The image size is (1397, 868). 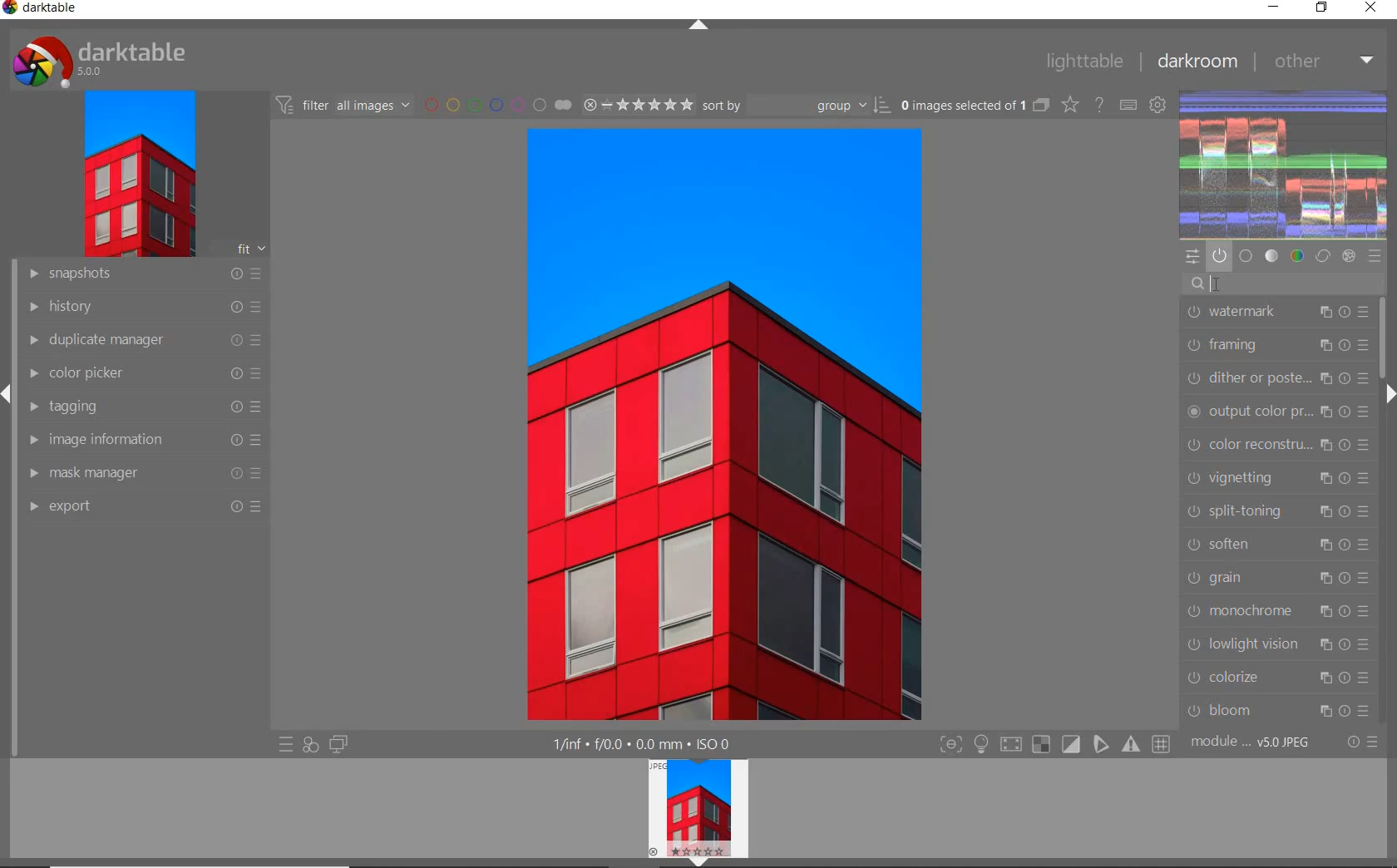 I want to click on gamut check, so click(x=1039, y=744).